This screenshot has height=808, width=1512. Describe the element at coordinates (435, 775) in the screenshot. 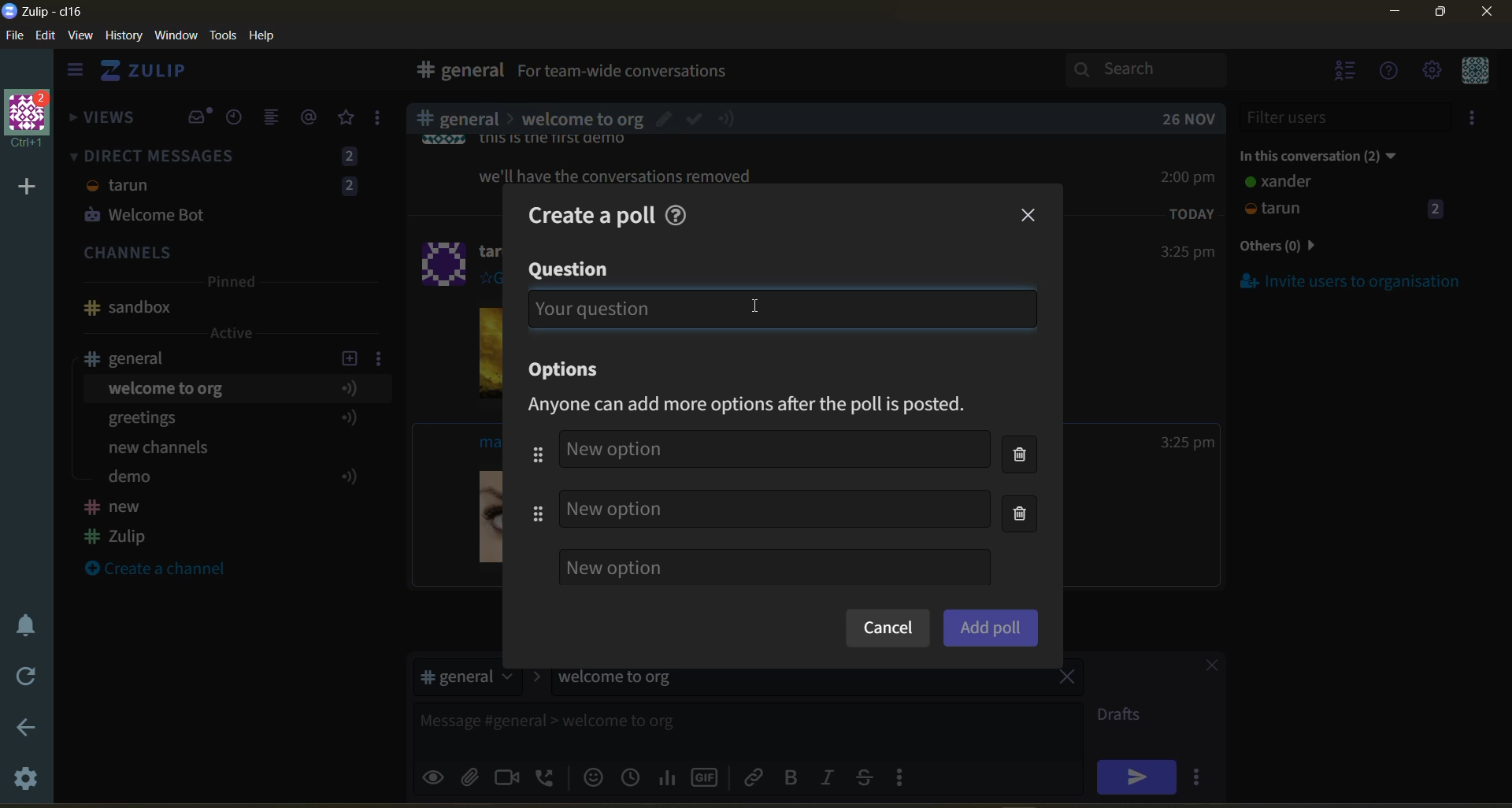

I see `preview` at that location.